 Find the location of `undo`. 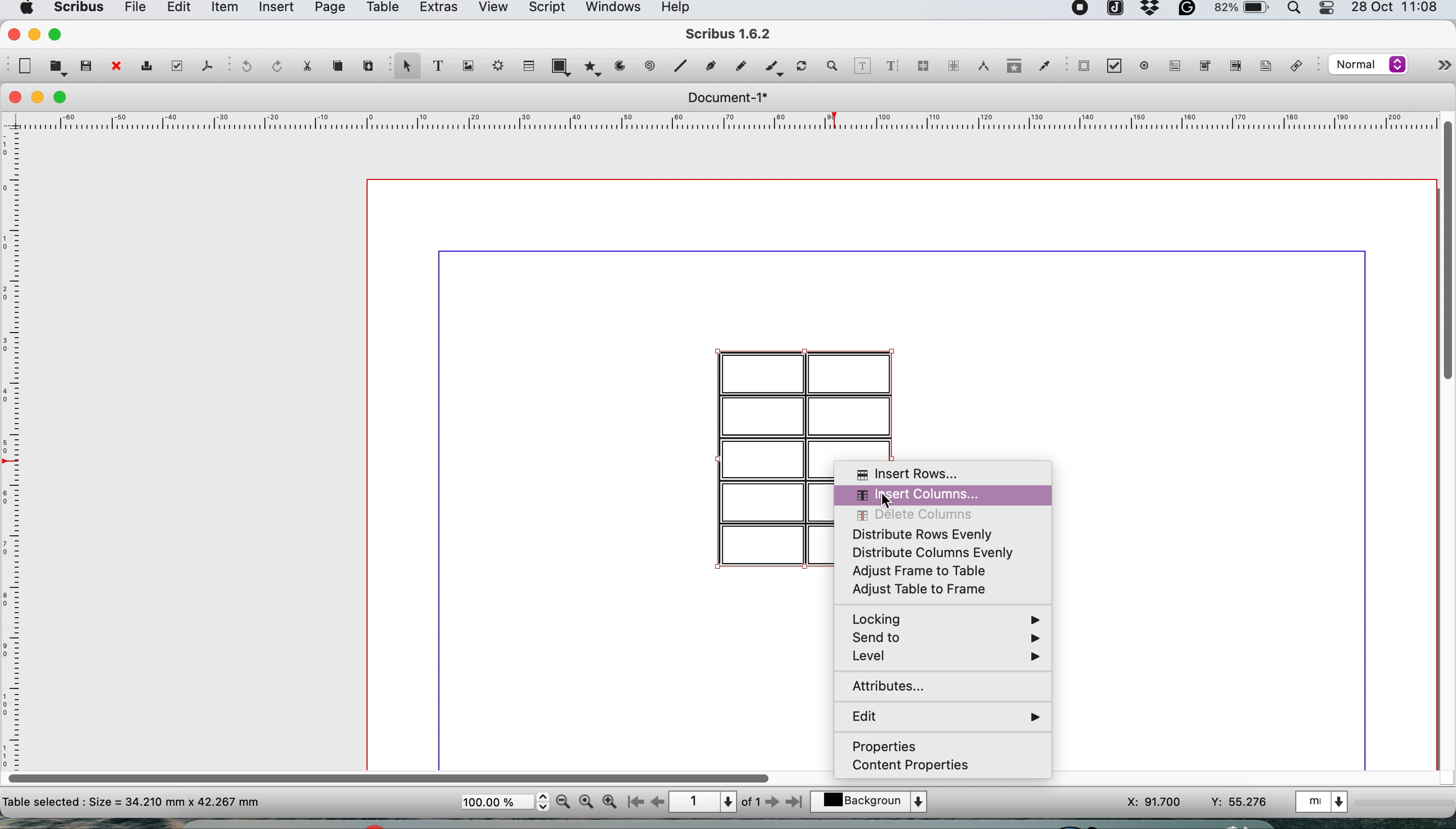

undo is located at coordinates (244, 67).